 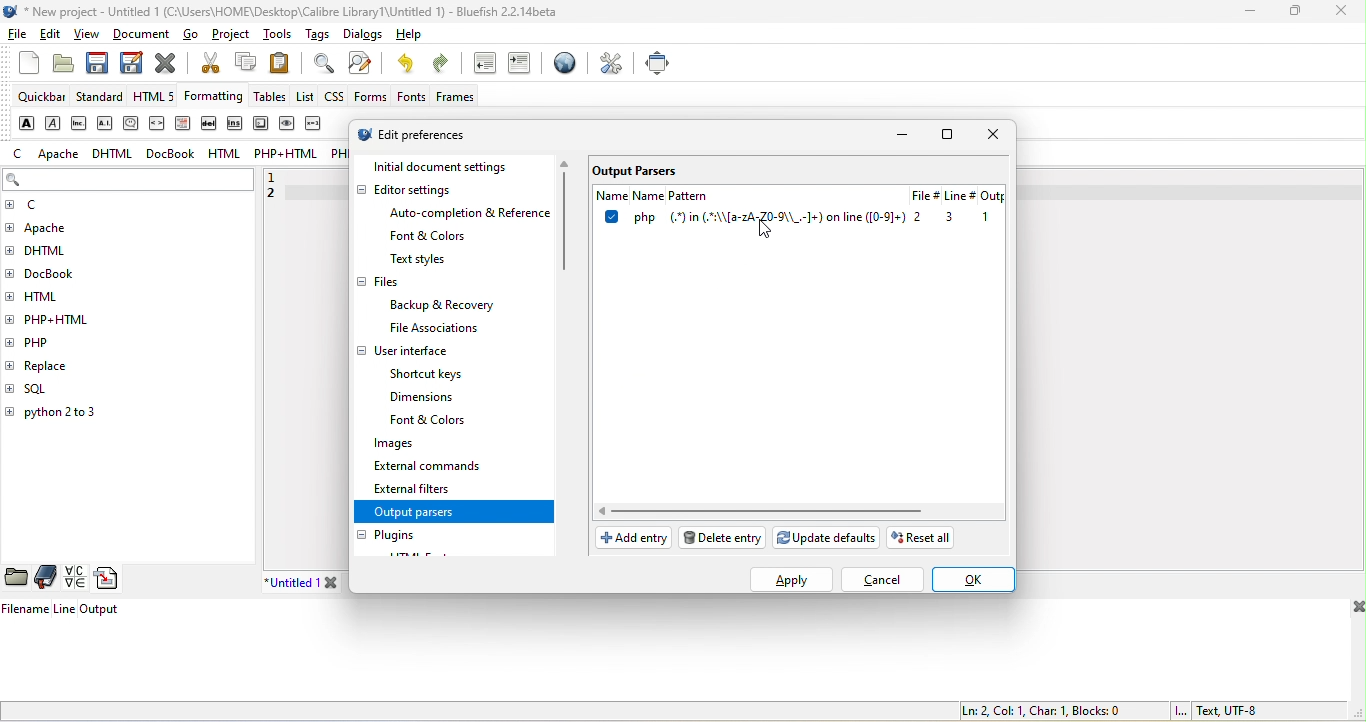 What do you see at coordinates (415, 489) in the screenshot?
I see `external filters` at bounding box center [415, 489].